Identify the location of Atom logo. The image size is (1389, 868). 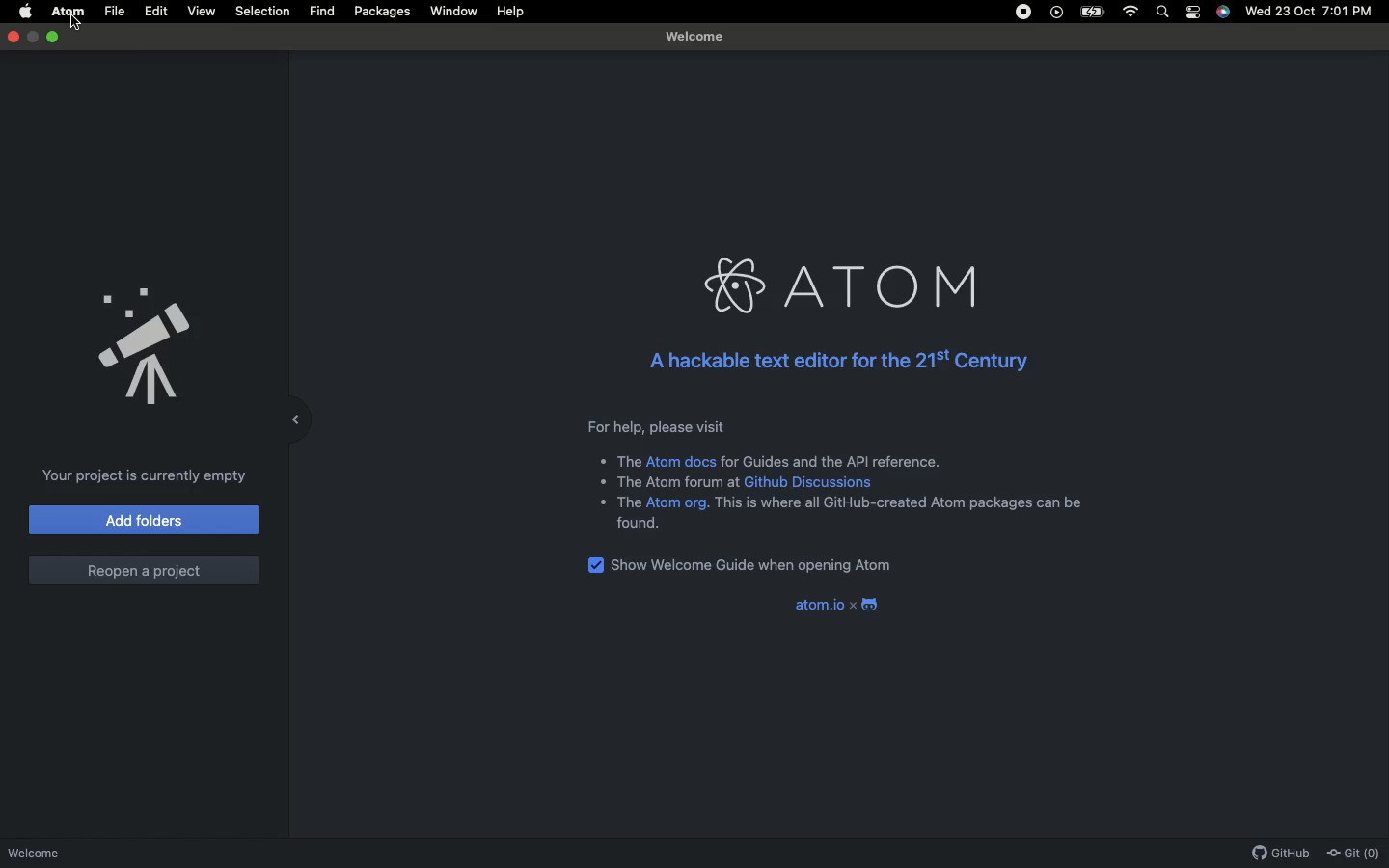
(842, 285).